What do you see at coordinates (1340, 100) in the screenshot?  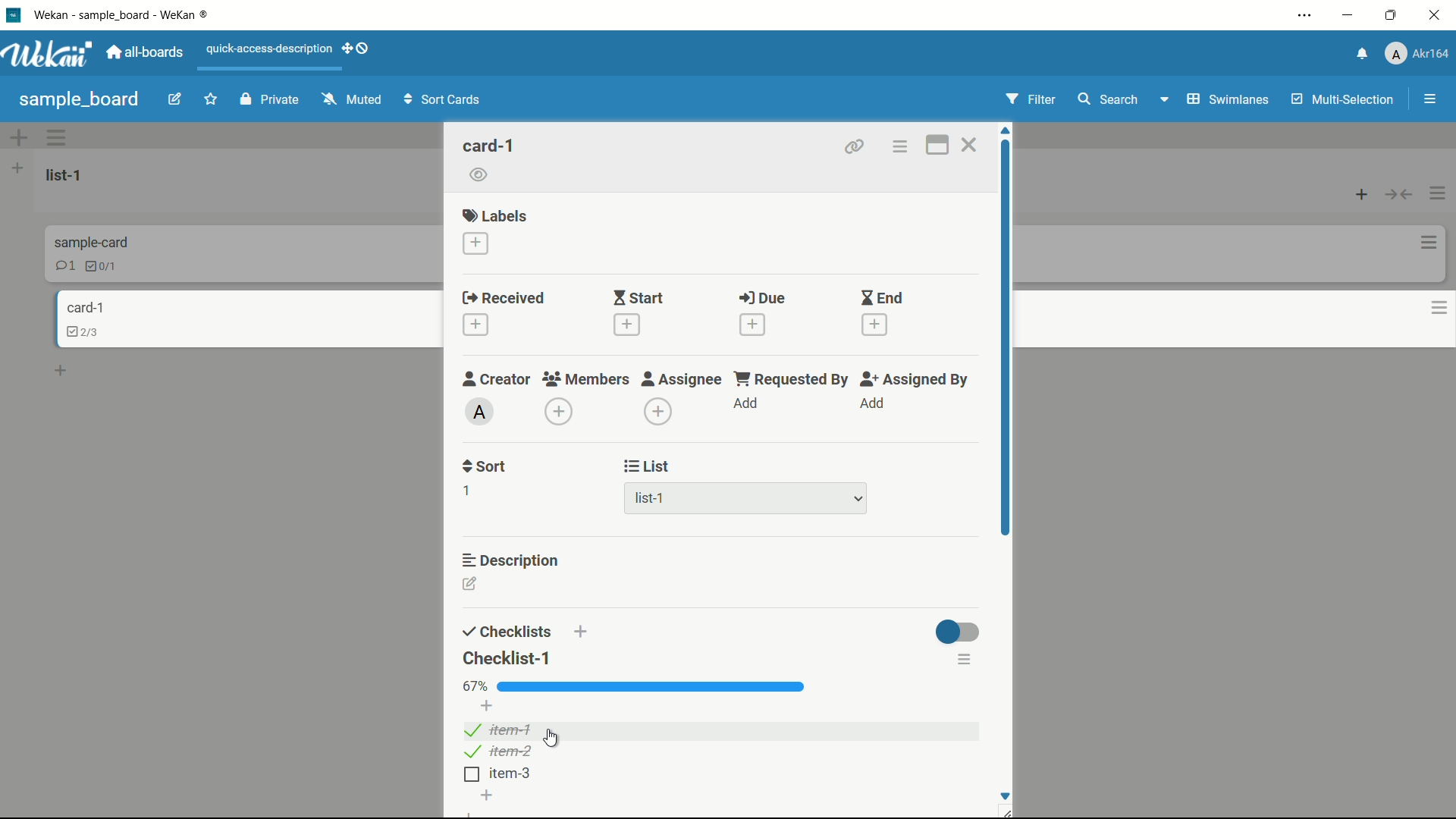 I see `multi- selection` at bounding box center [1340, 100].